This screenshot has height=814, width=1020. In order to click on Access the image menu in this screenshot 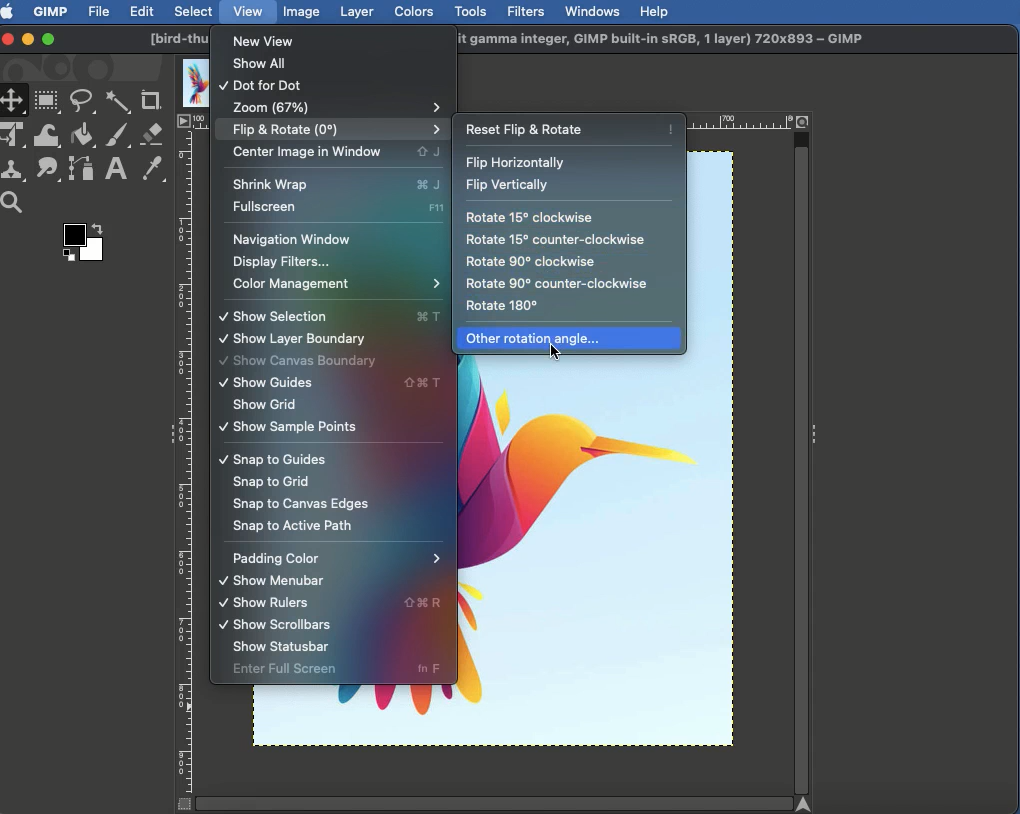, I will do `click(184, 122)`.